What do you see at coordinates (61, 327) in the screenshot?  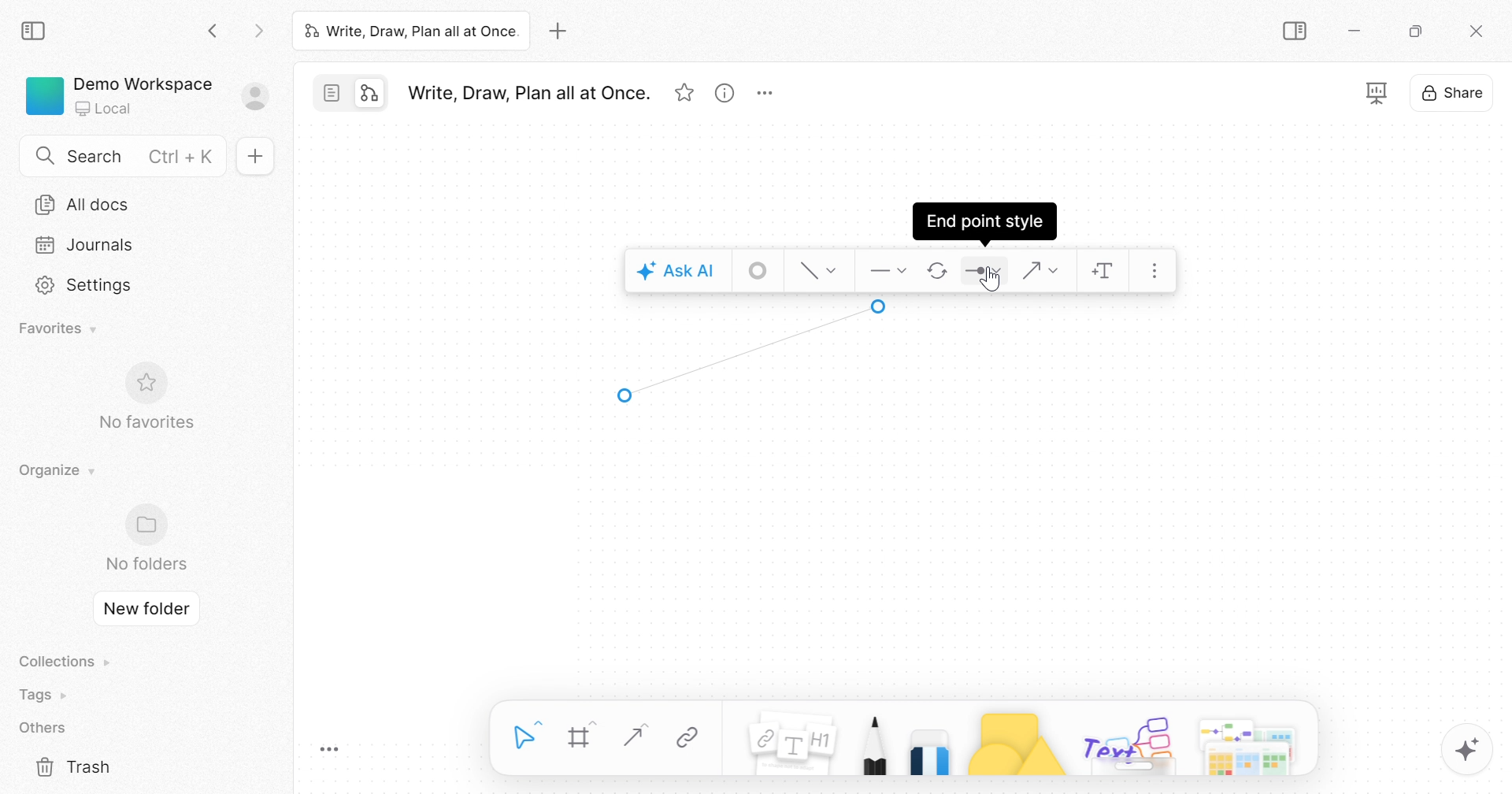 I see `Favorites` at bounding box center [61, 327].